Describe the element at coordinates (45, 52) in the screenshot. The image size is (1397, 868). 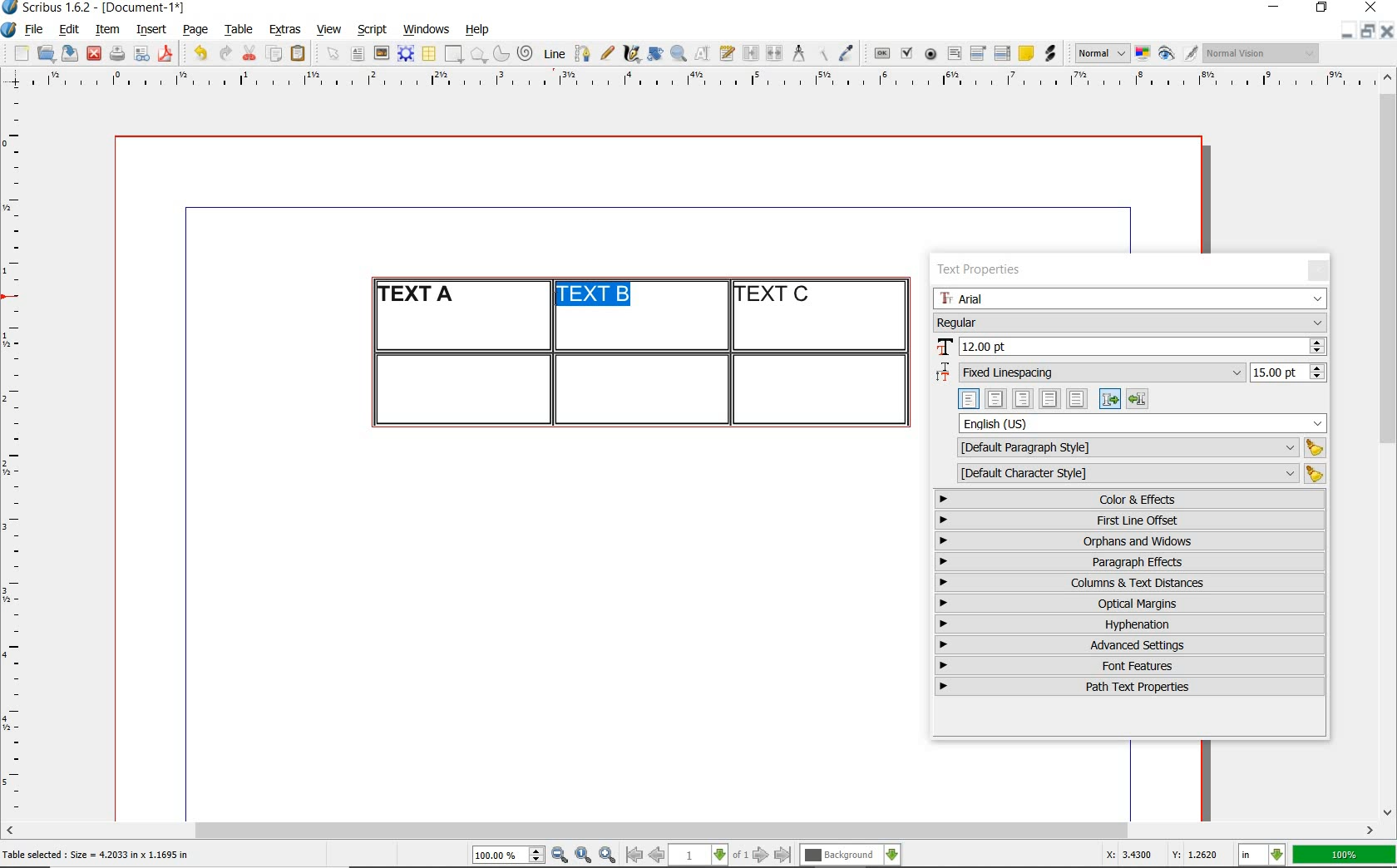
I see `open` at that location.